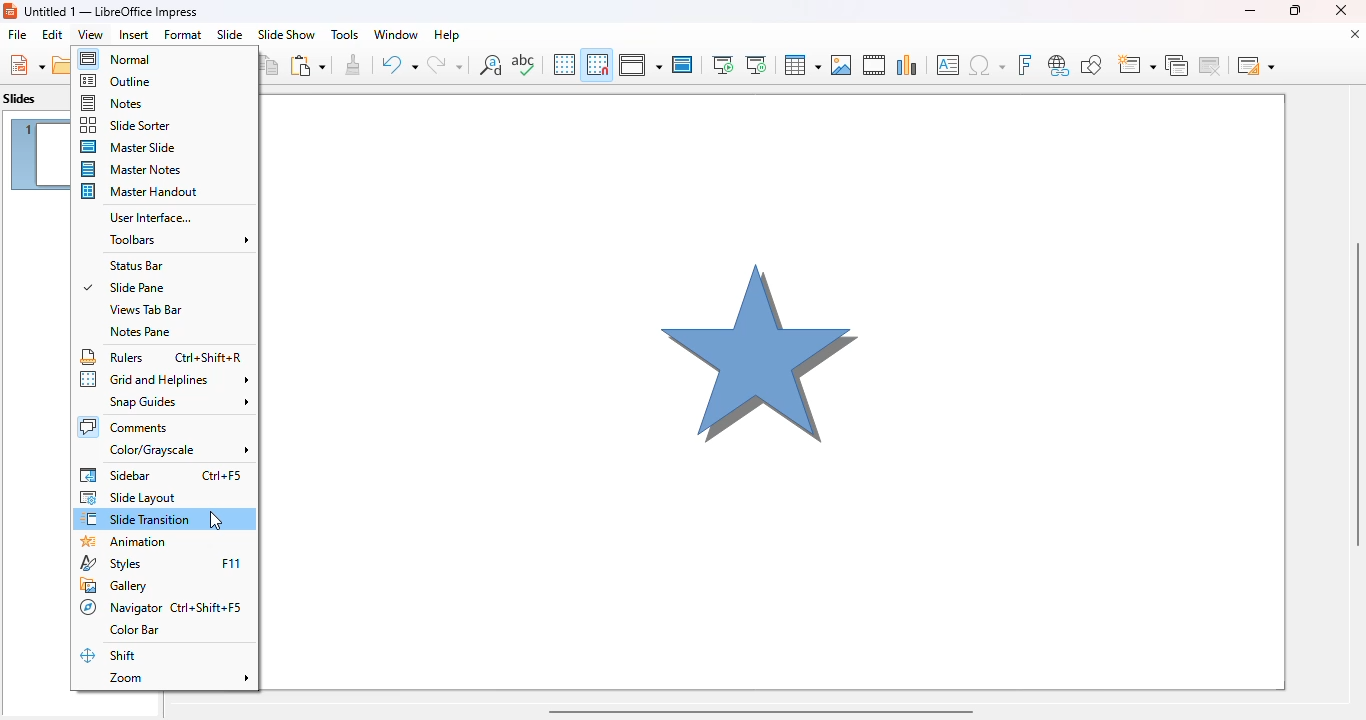  What do you see at coordinates (1256, 65) in the screenshot?
I see `slide layout` at bounding box center [1256, 65].